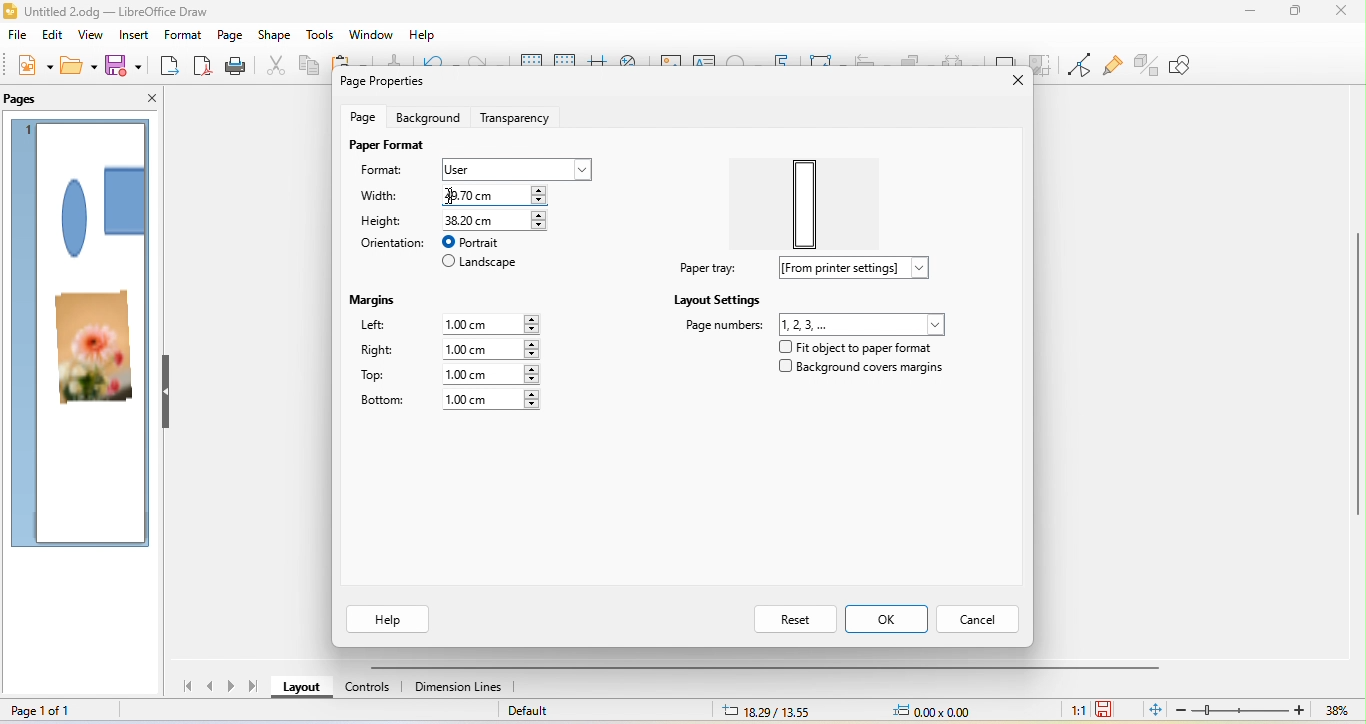 The image size is (1366, 724). What do you see at coordinates (124, 69) in the screenshot?
I see `save` at bounding box center [124, 69].